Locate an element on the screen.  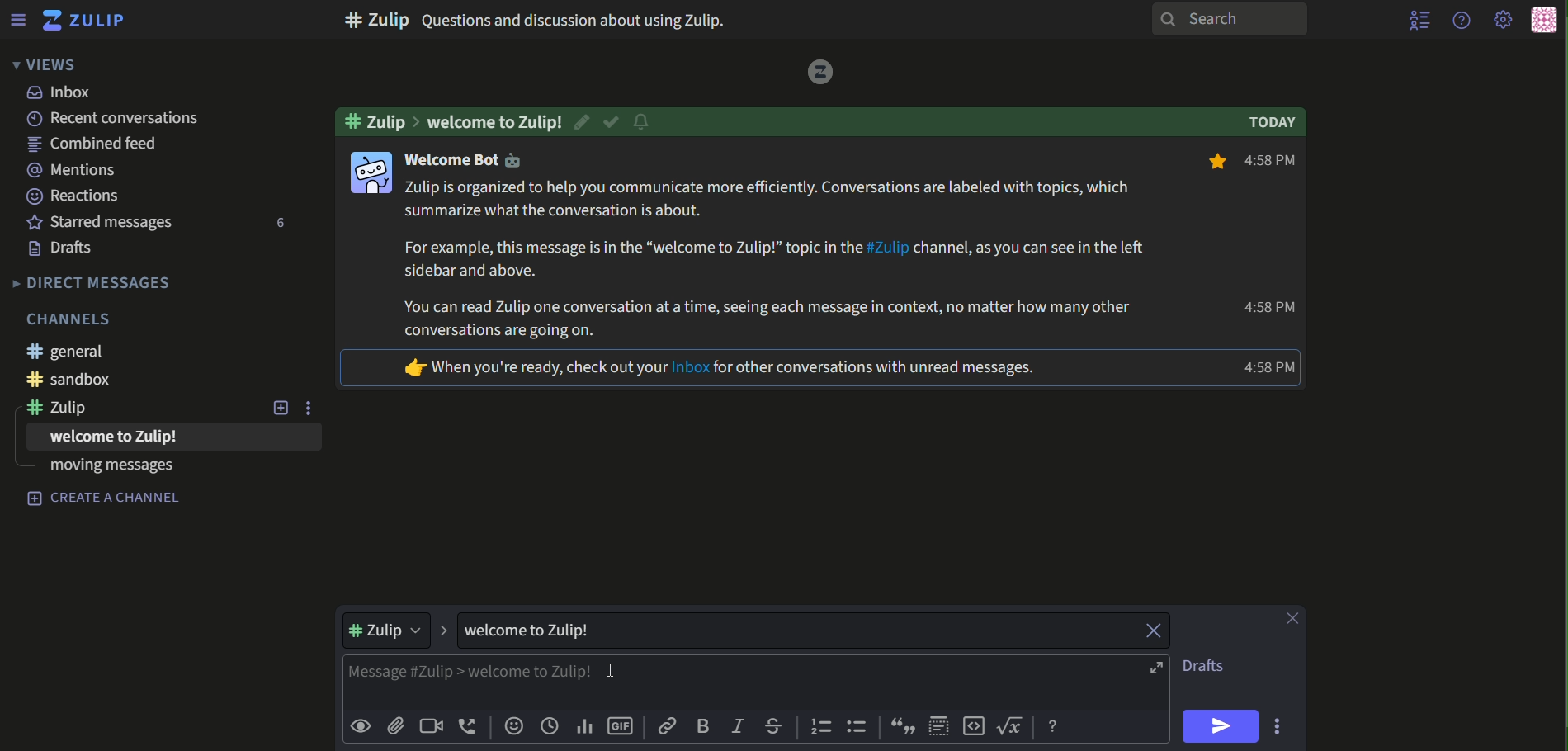
text is located at coordinates (67, 352).